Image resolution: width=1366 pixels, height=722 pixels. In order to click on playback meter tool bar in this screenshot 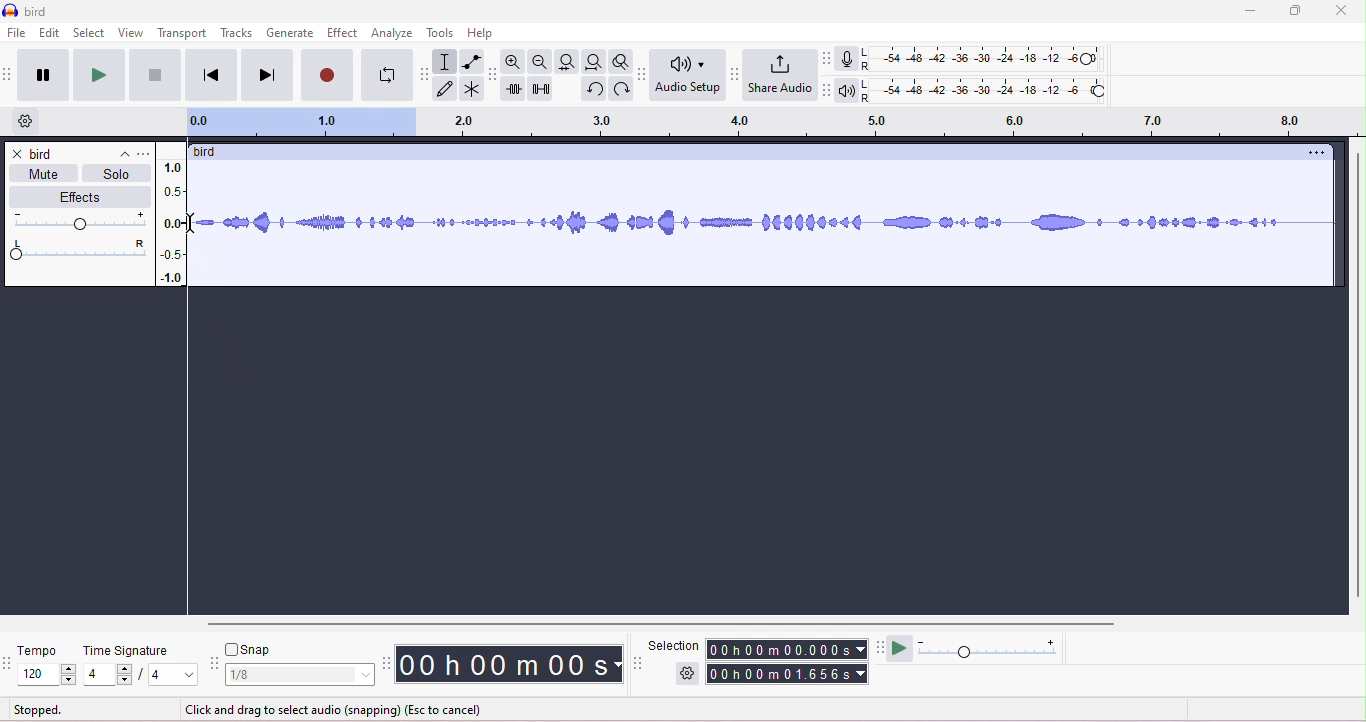, I will do `click(830, 90)`.